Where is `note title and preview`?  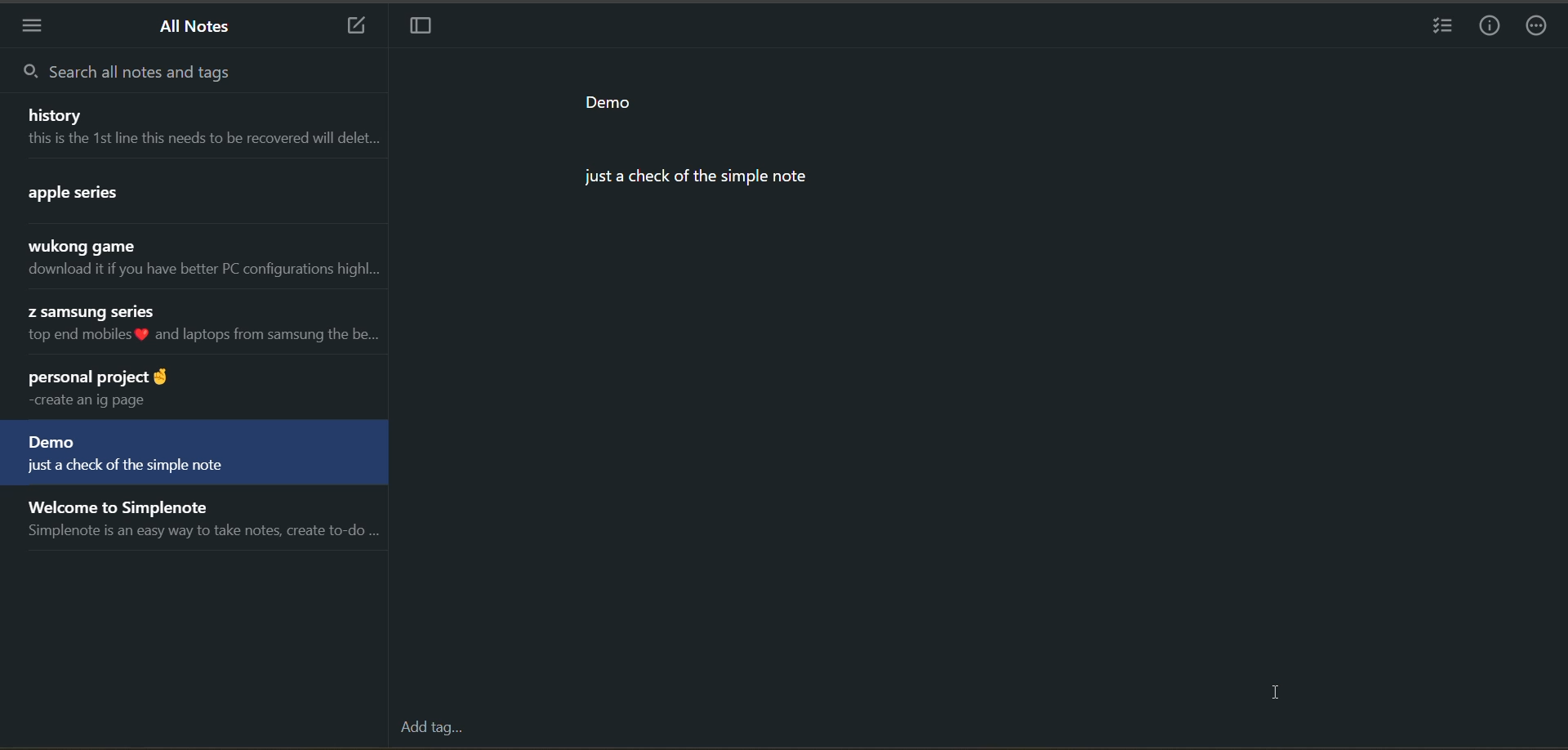 note title and preview is located at coordinates (199, 260).